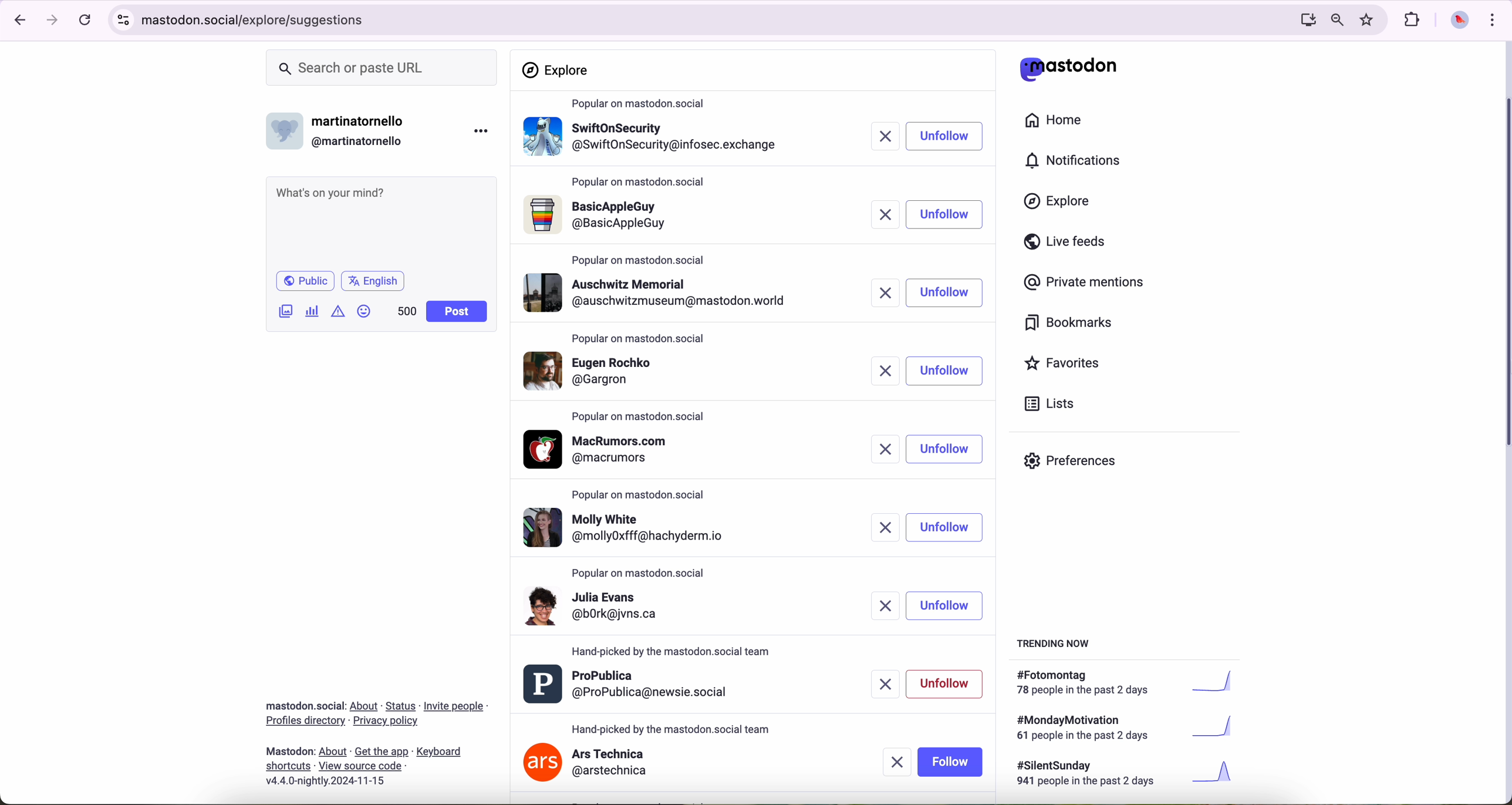 The image size is (1512, 805). Describe the element at coordinates (558, 70) in the screenshot. I see `explore section` at that location.